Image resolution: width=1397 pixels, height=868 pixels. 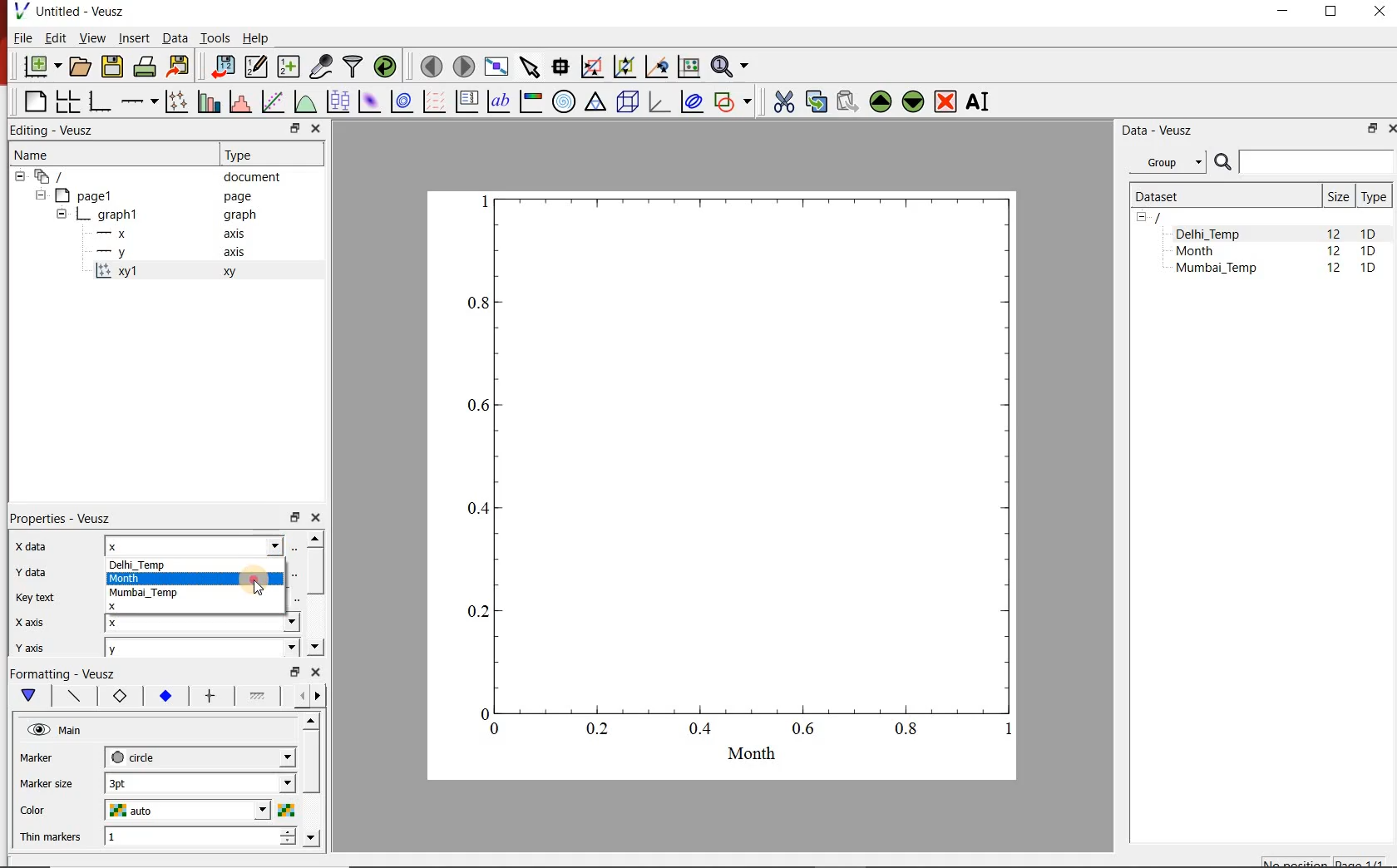 I want to click on Y data, so click(x=29, y=571).